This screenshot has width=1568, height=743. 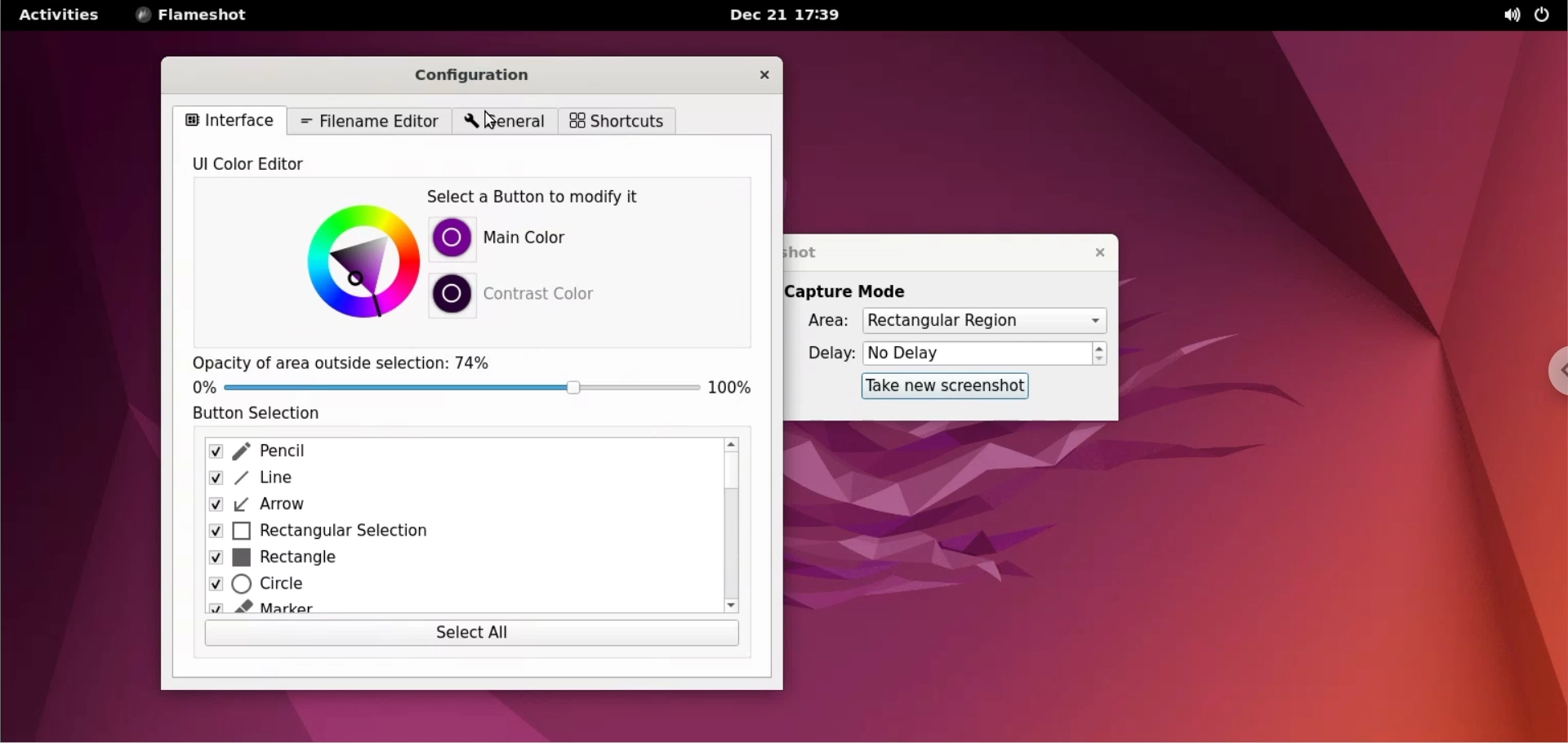 What do you see at coordinates (502, 122) in the screenshot?
I see `general` at bounding box center [502, 122].